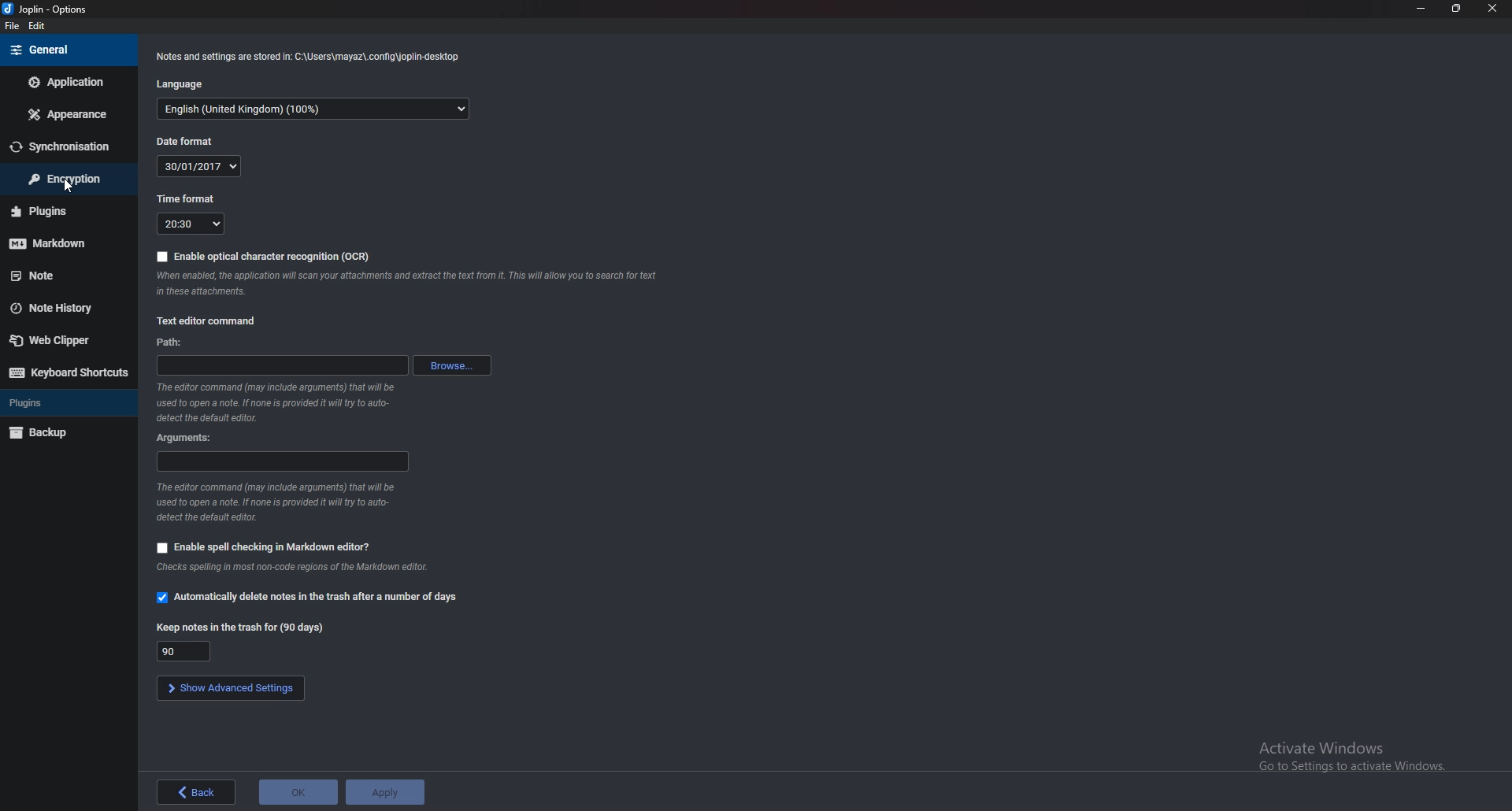 The width and height of the screenshot is (1512, 811). Describe the element at coordinates (40, 25) in the screenshot. I see `edit` at that location.